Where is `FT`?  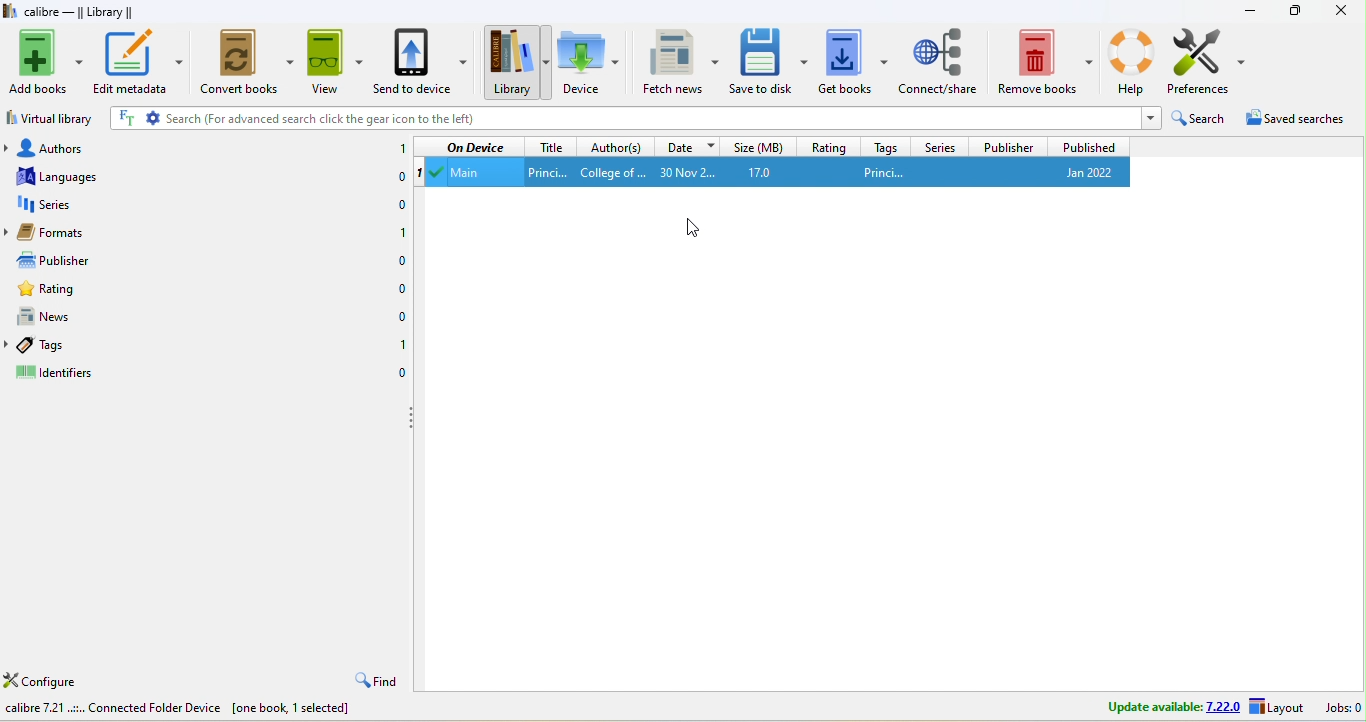
FT is located at coordinates (125, 118).